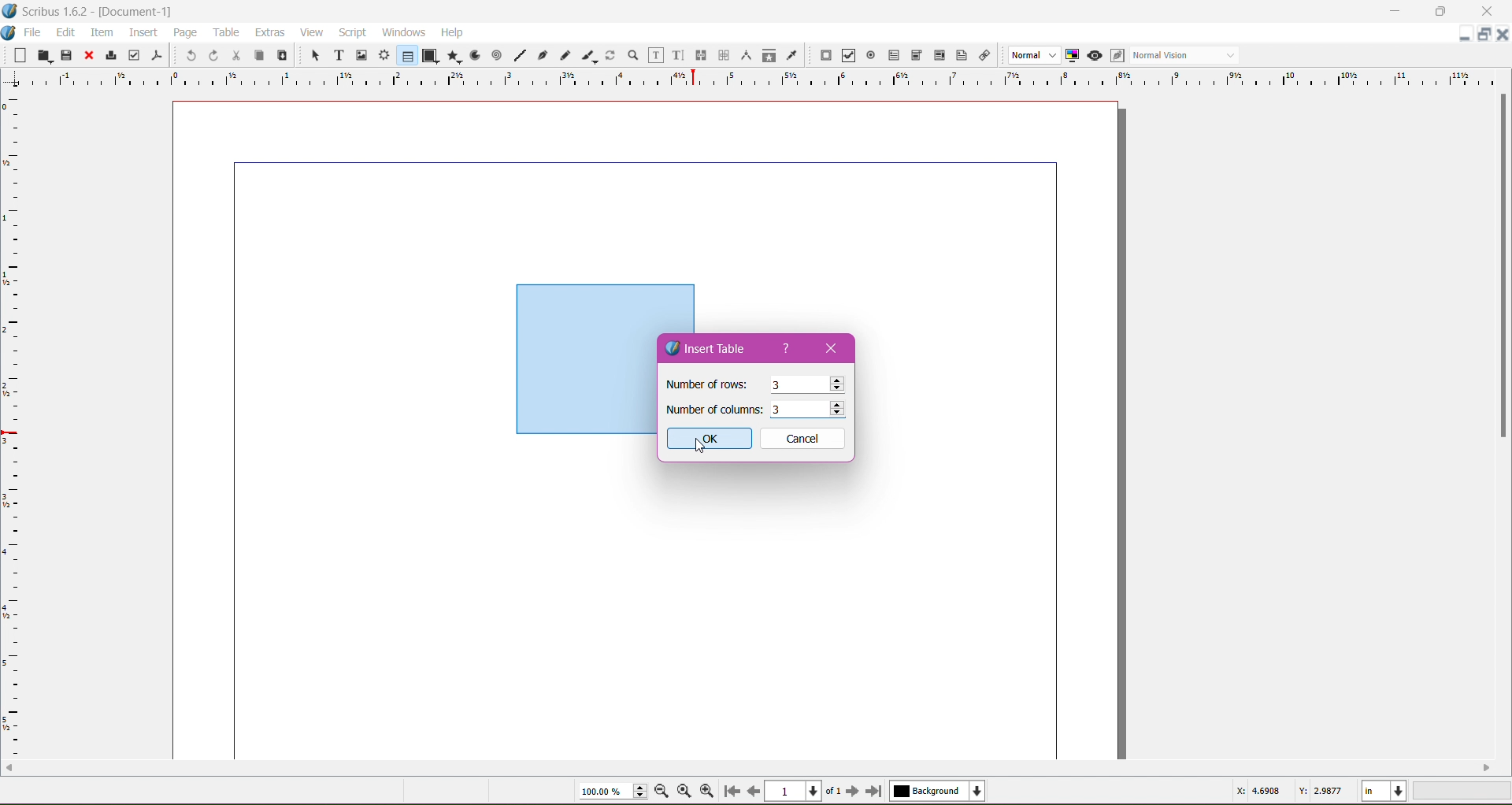  I want to click on 100.00 %, so click(613, 792).